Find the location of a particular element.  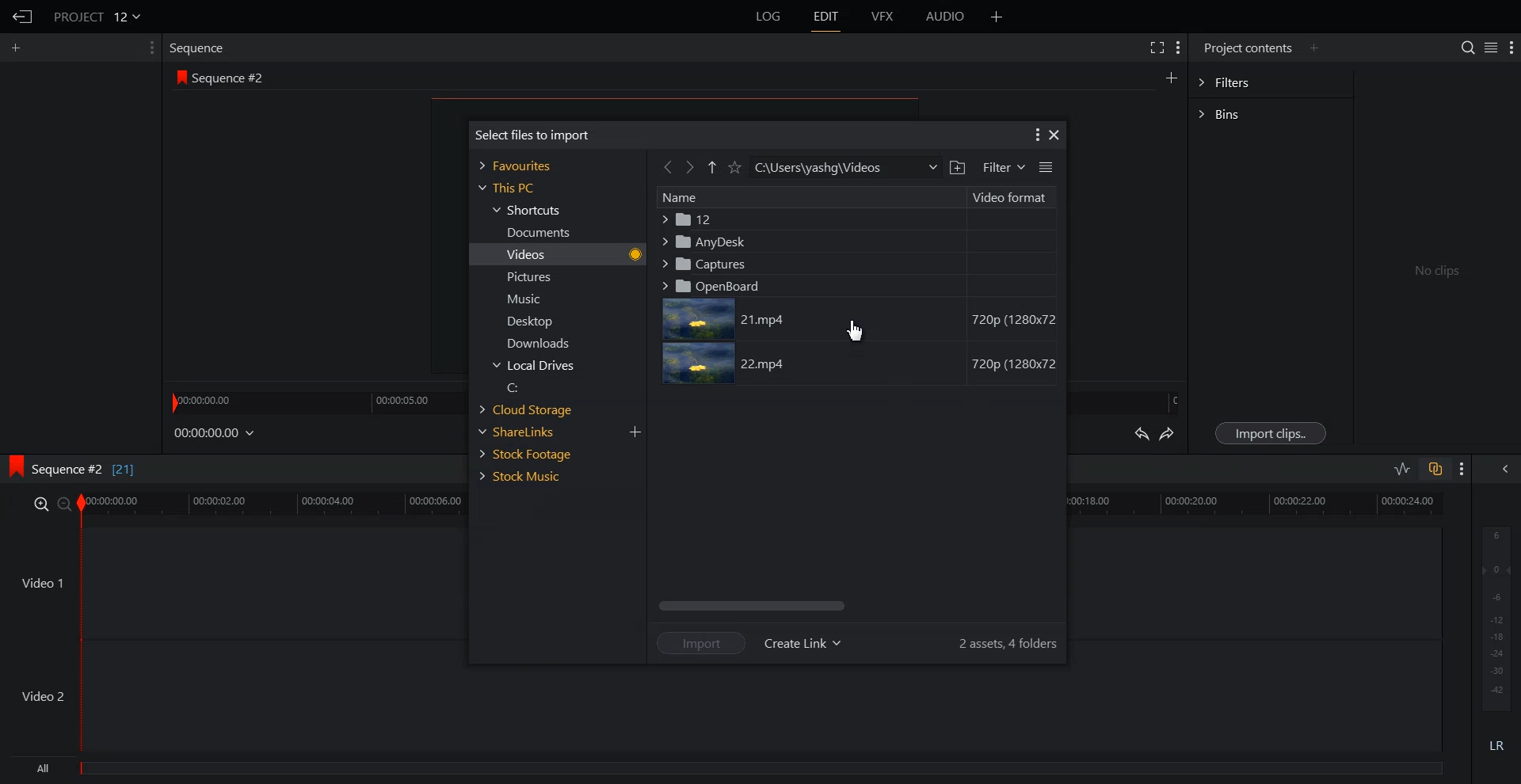

Bins is located at coordinates (1271, 112).